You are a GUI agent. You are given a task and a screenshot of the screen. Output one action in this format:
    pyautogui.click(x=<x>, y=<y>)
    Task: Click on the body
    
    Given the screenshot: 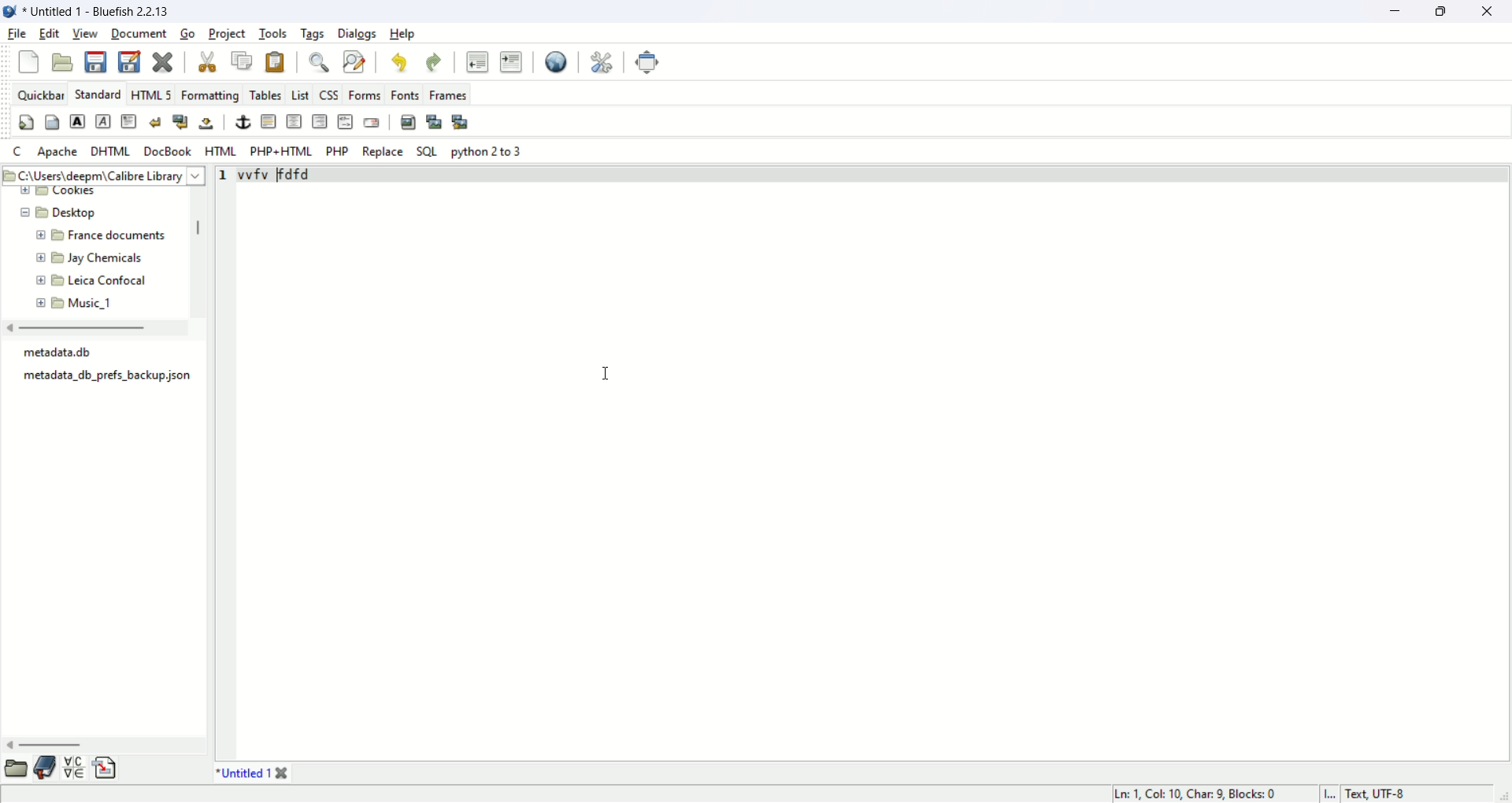 What is the action you would take?
    pyautogui.click(x=55, y=122)
    